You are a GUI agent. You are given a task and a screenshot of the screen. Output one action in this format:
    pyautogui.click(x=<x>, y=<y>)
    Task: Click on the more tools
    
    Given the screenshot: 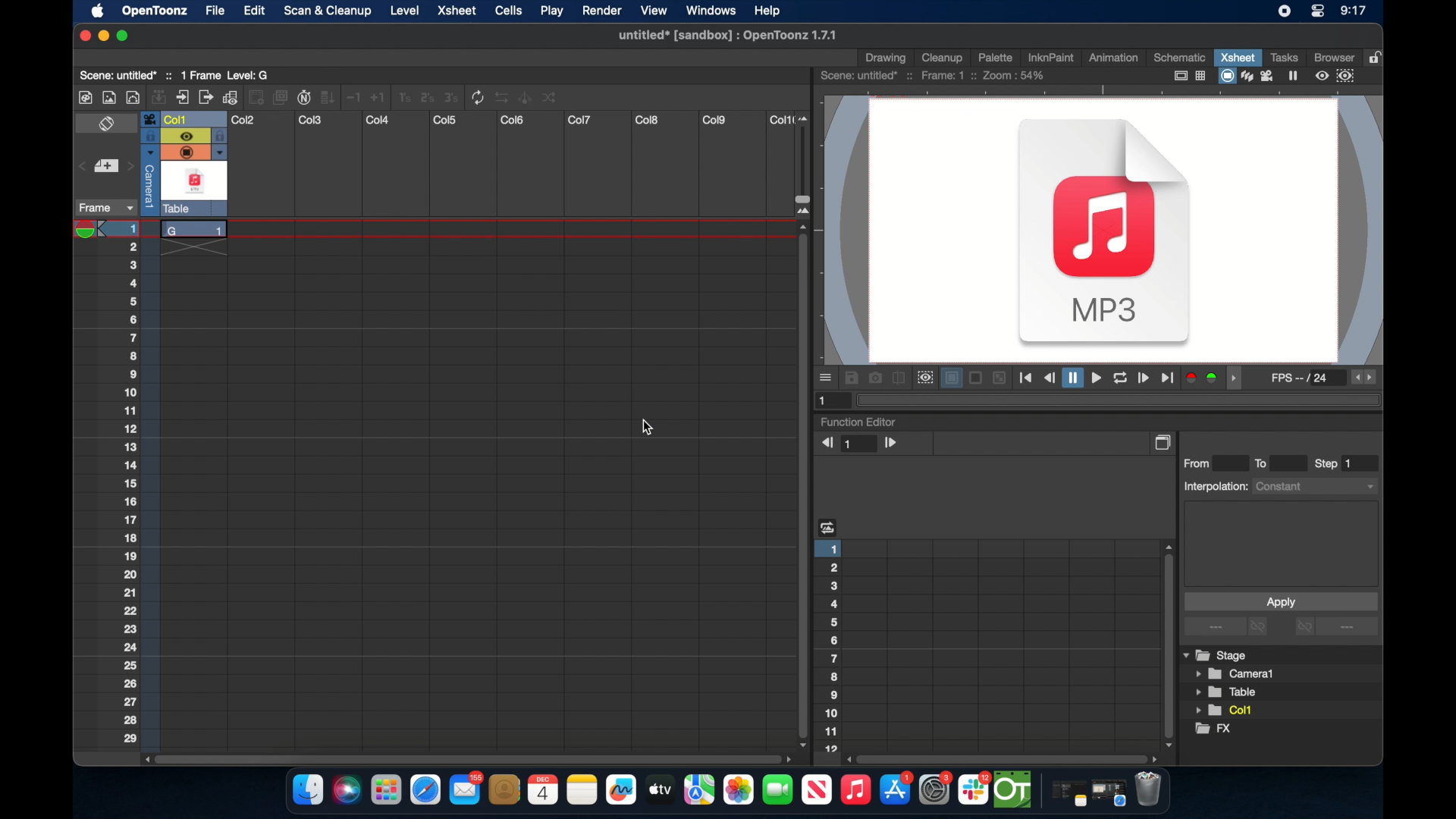 What is the action you would take?
    pyautogui.click(x=319, y=96)
    